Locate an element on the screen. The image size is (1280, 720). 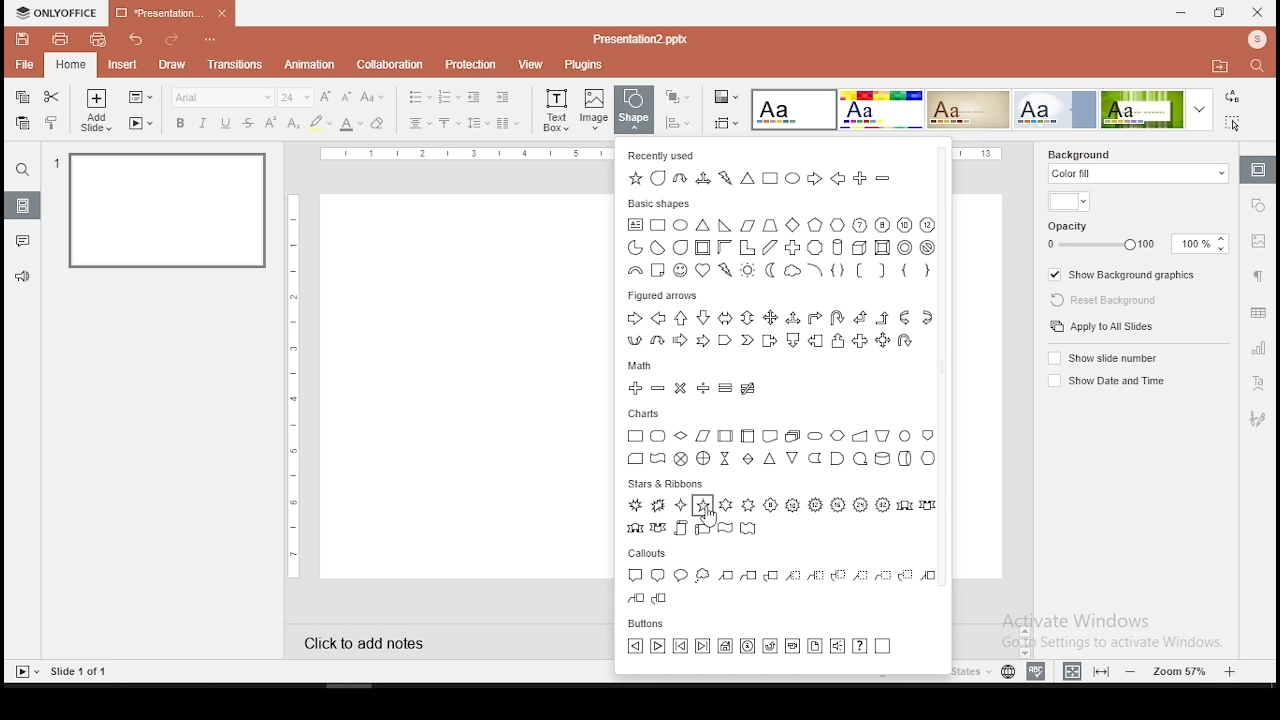
undo is located at coordinates (138, 39).